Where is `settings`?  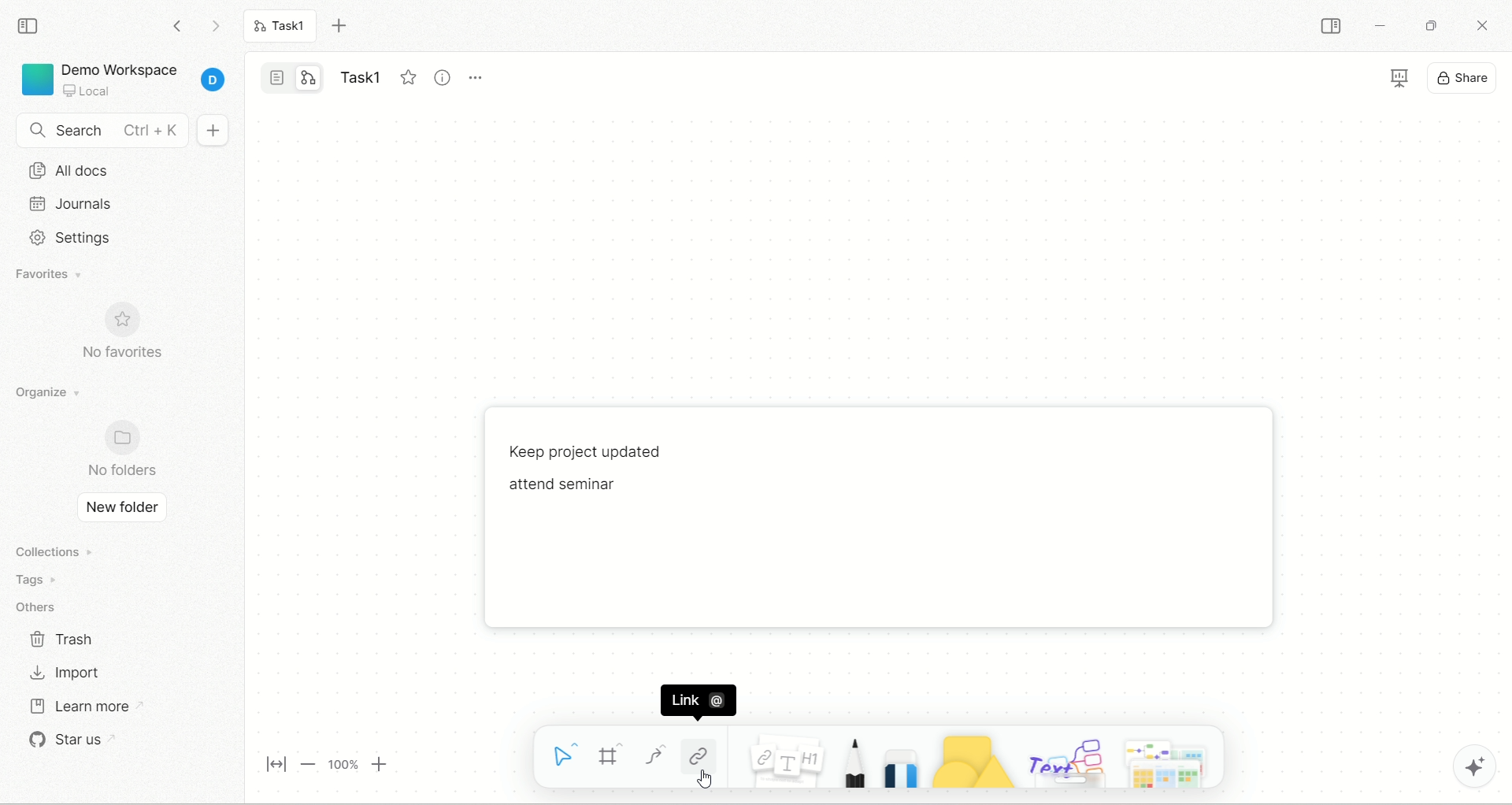
settings is located at coordinates (109, 236).